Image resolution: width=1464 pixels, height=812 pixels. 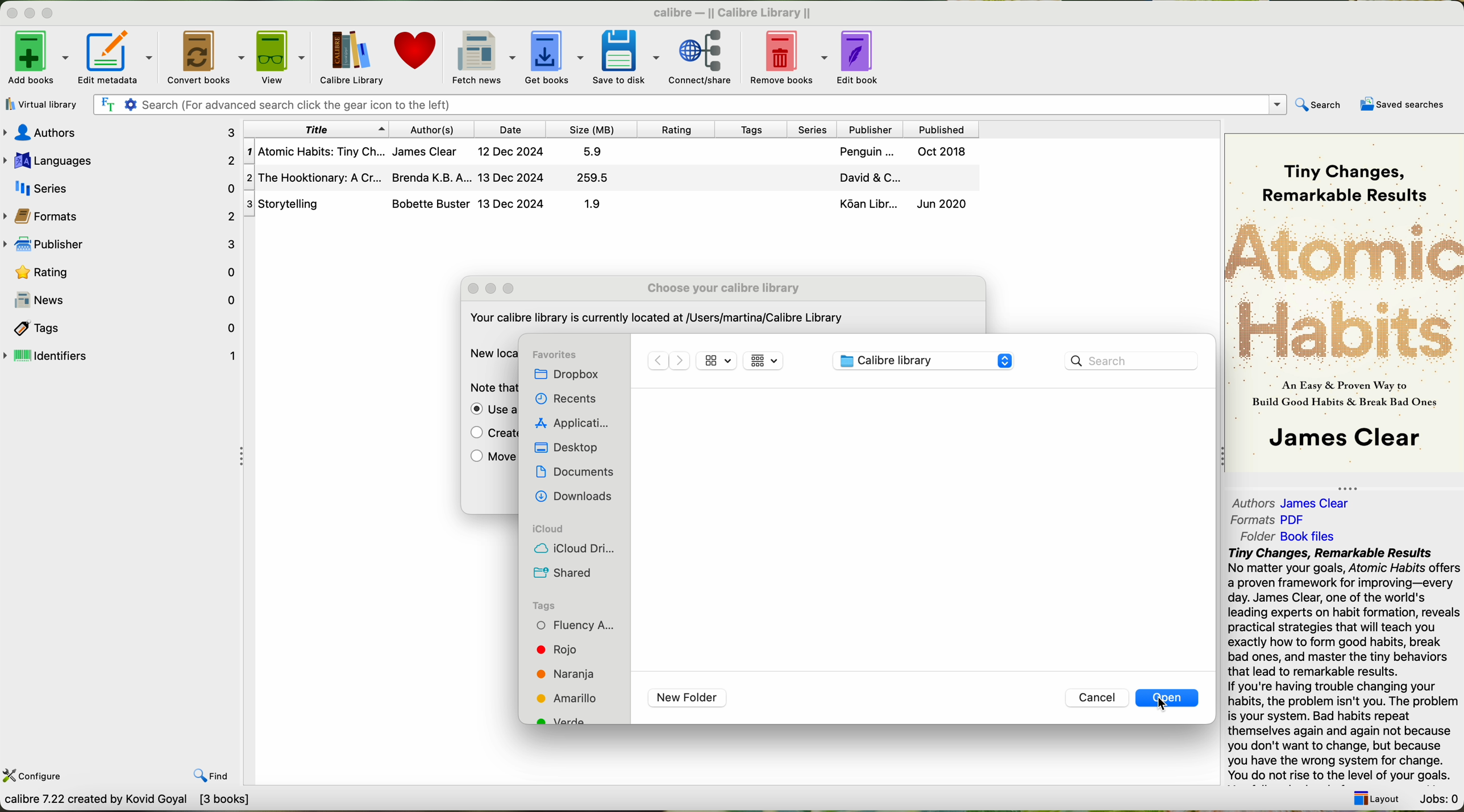 What do you see at coordinates (576, 399) in the screenshot?
I see `recents` at bounding box center [576, 399].